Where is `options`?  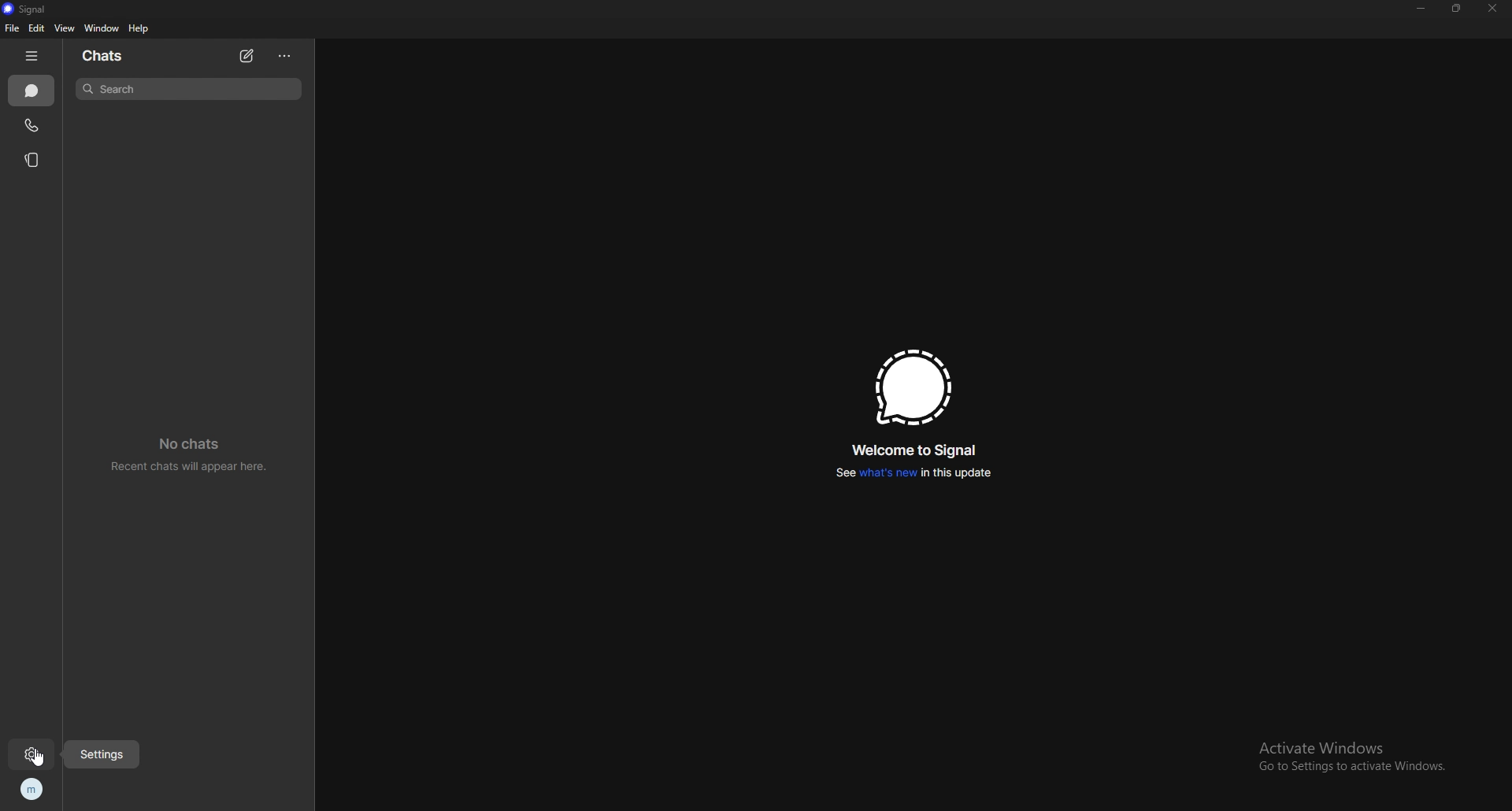 options is located at coordinates (287, 56).